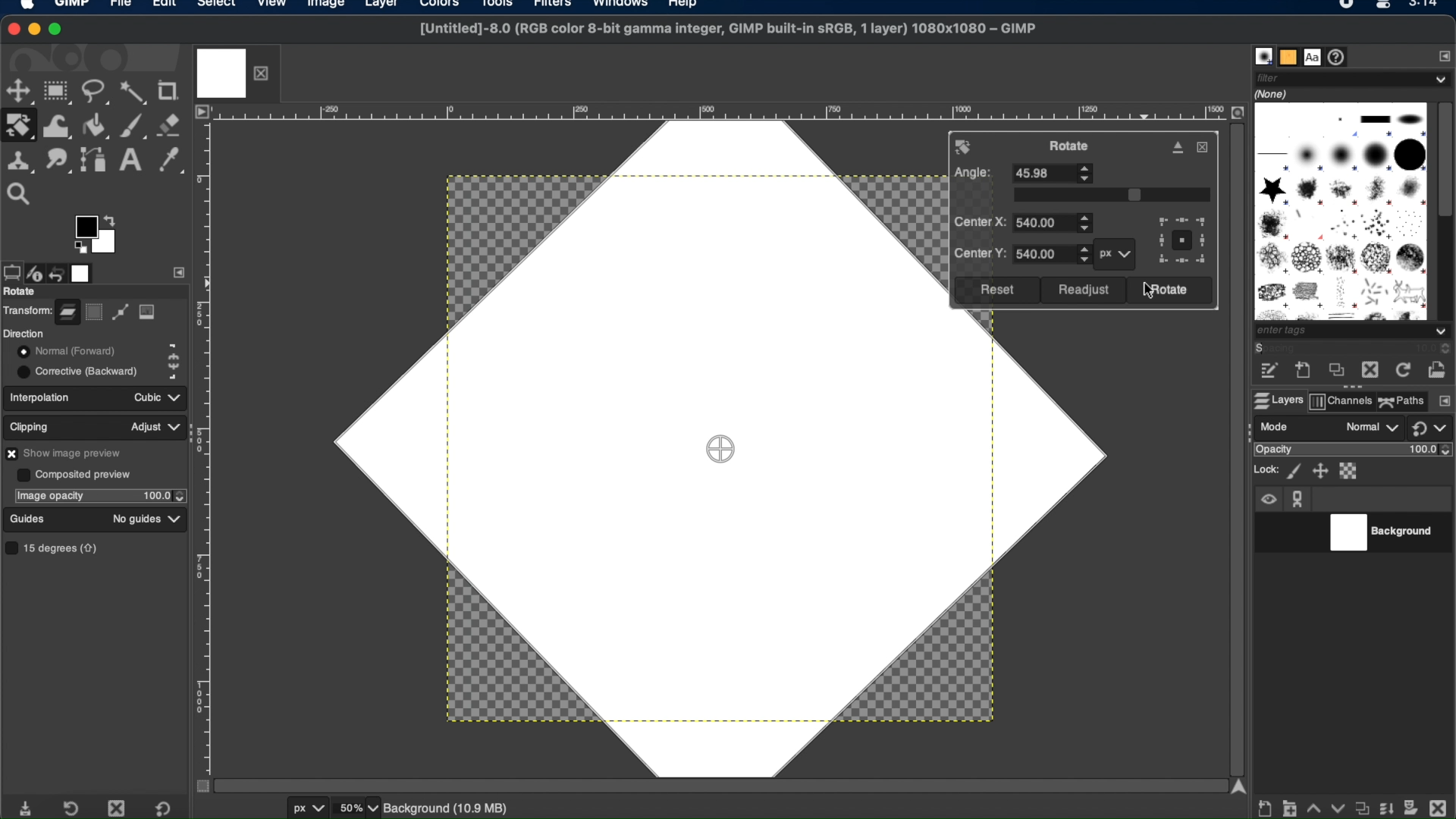  Describe the element at coordinates (1238, 786) in the screenshot. I see `scroll up arrow` at that location.